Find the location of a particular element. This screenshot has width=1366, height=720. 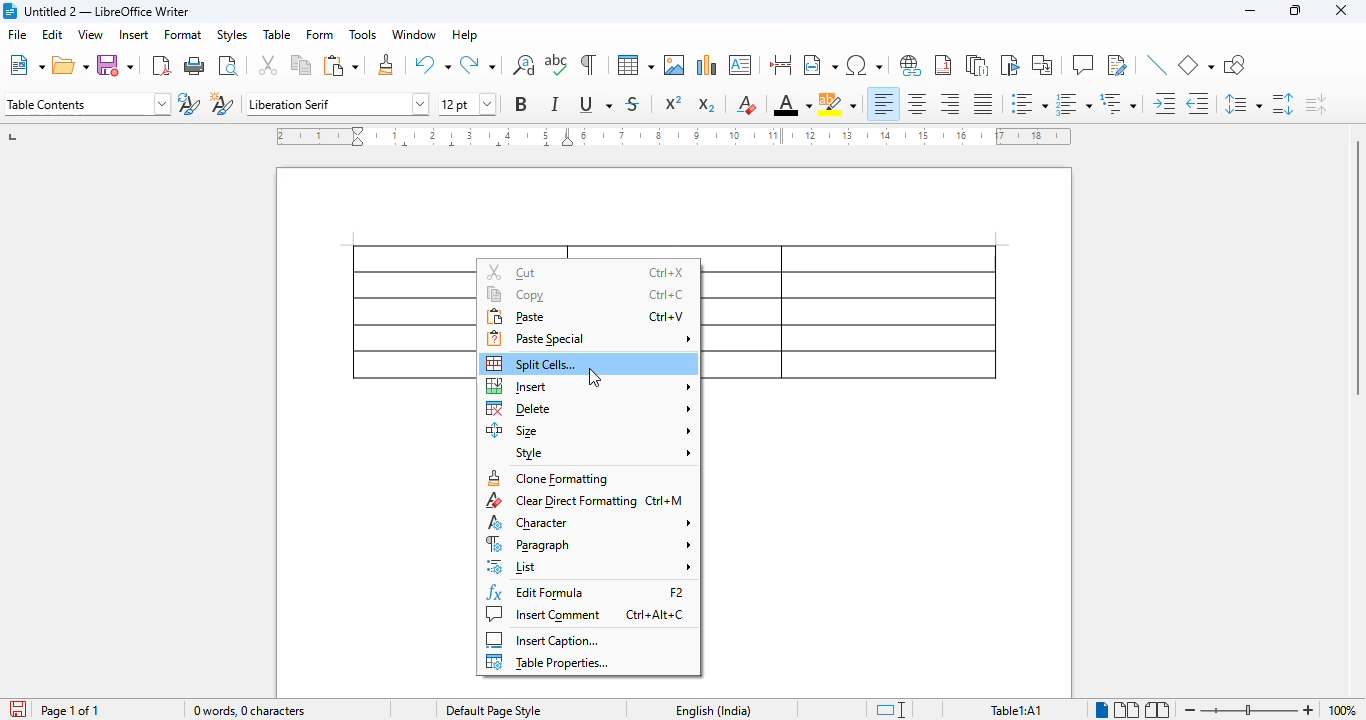

toggle formatting marks is located at coordinates (589, 65).